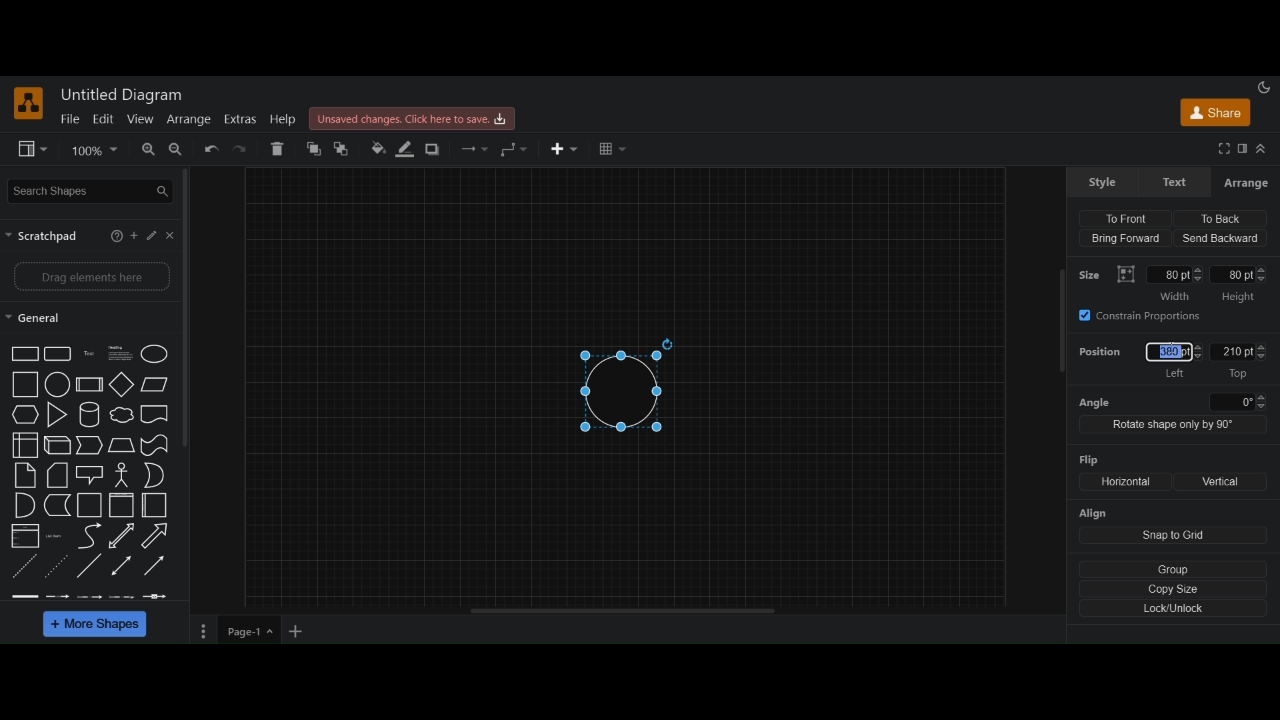 The image size is (1280, 720). What do you see at coordinates (26, 384) in the screenshot?
I see `Square` at bounding box center [26, 384].